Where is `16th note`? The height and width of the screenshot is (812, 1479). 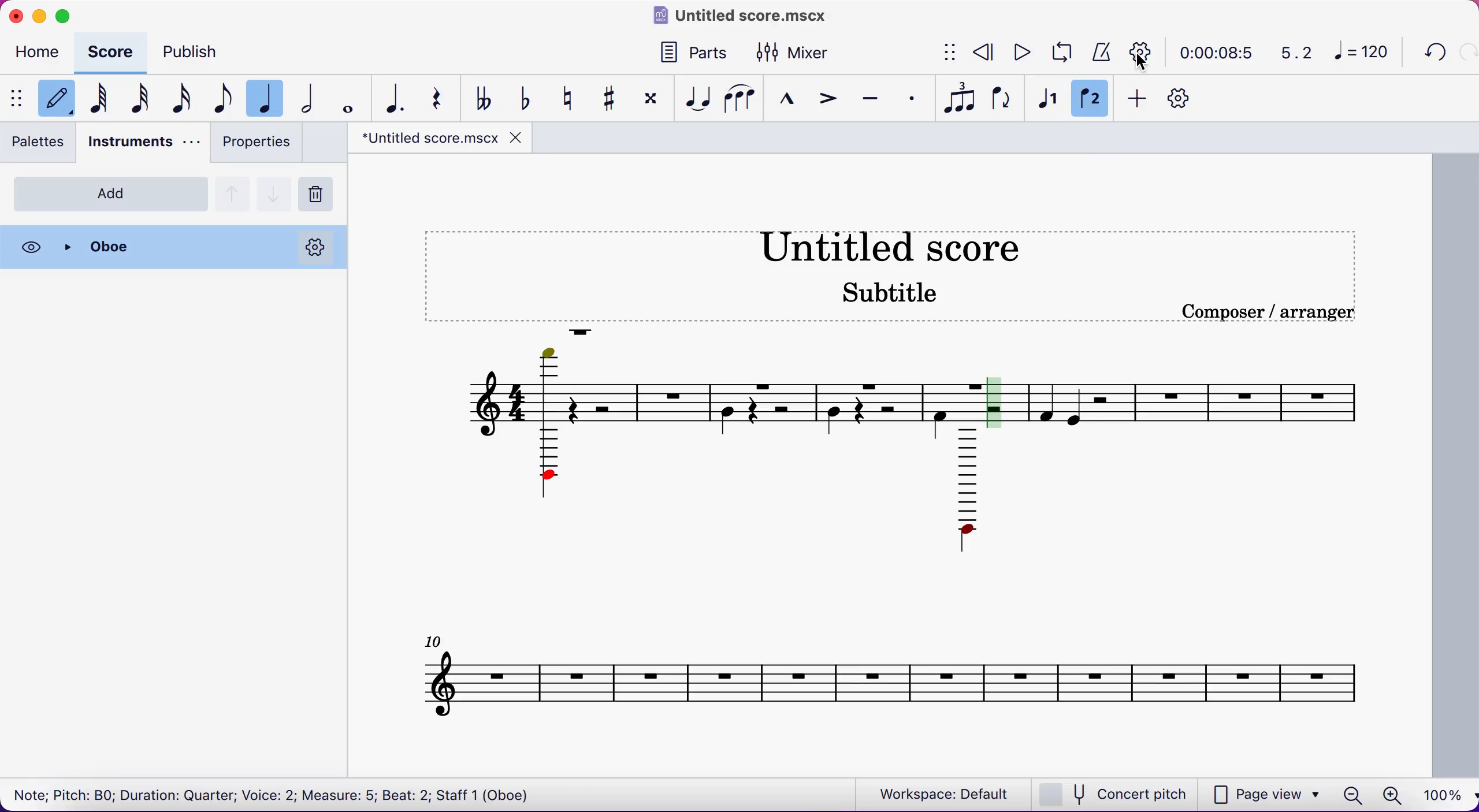 16th note is located at coordinates (181, 99).